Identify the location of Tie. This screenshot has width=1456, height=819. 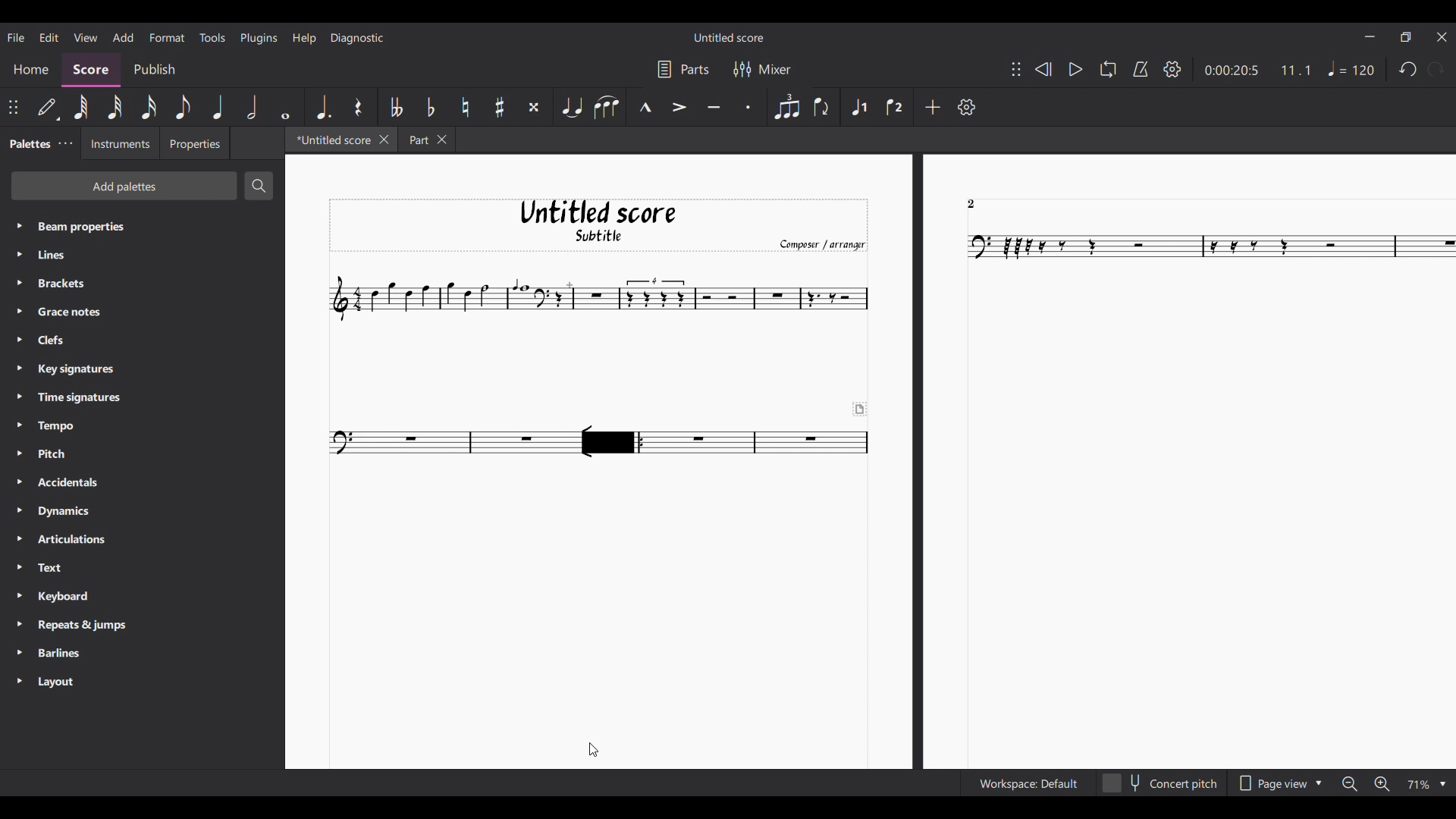
(571, 106).